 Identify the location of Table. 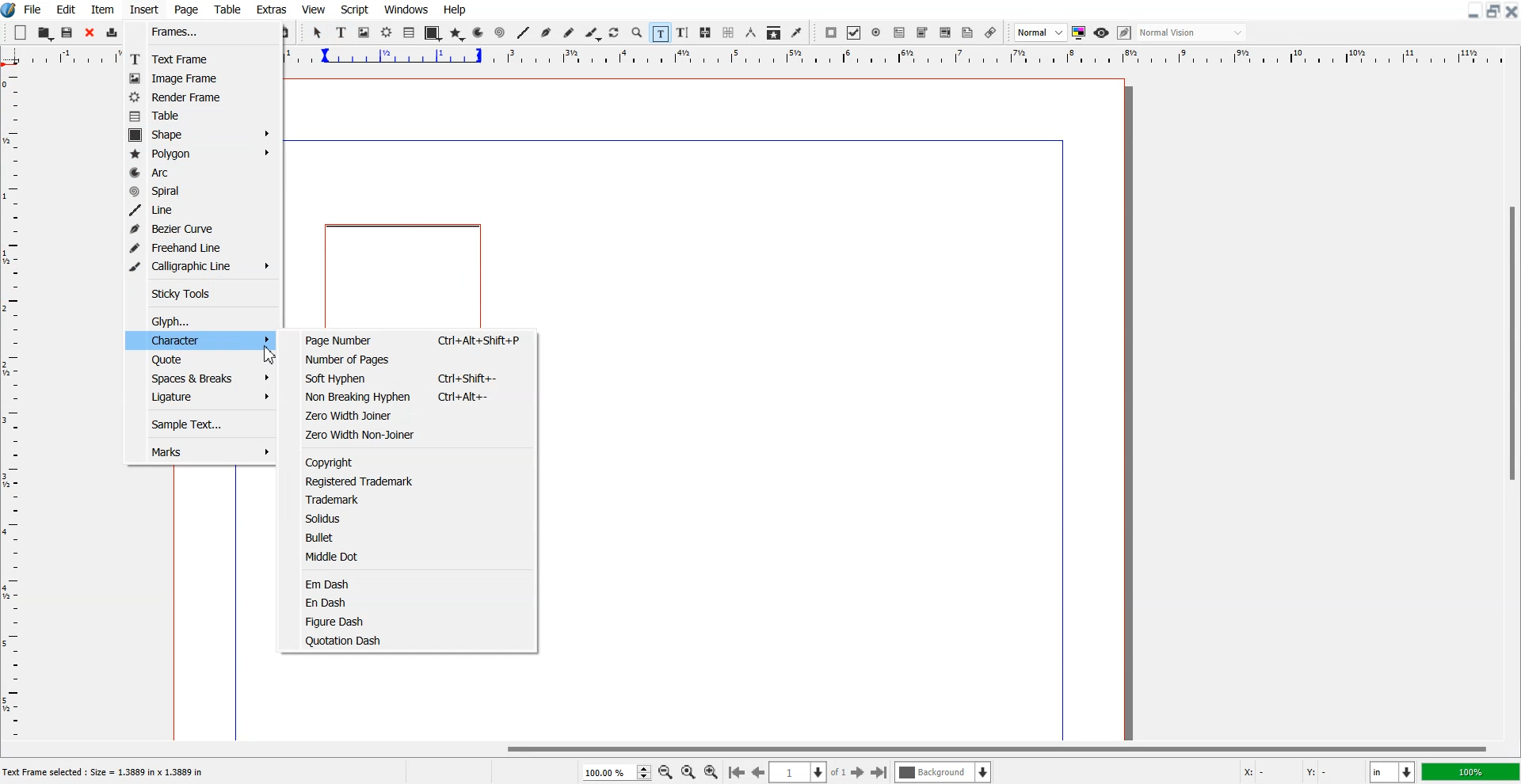
(194, 116).